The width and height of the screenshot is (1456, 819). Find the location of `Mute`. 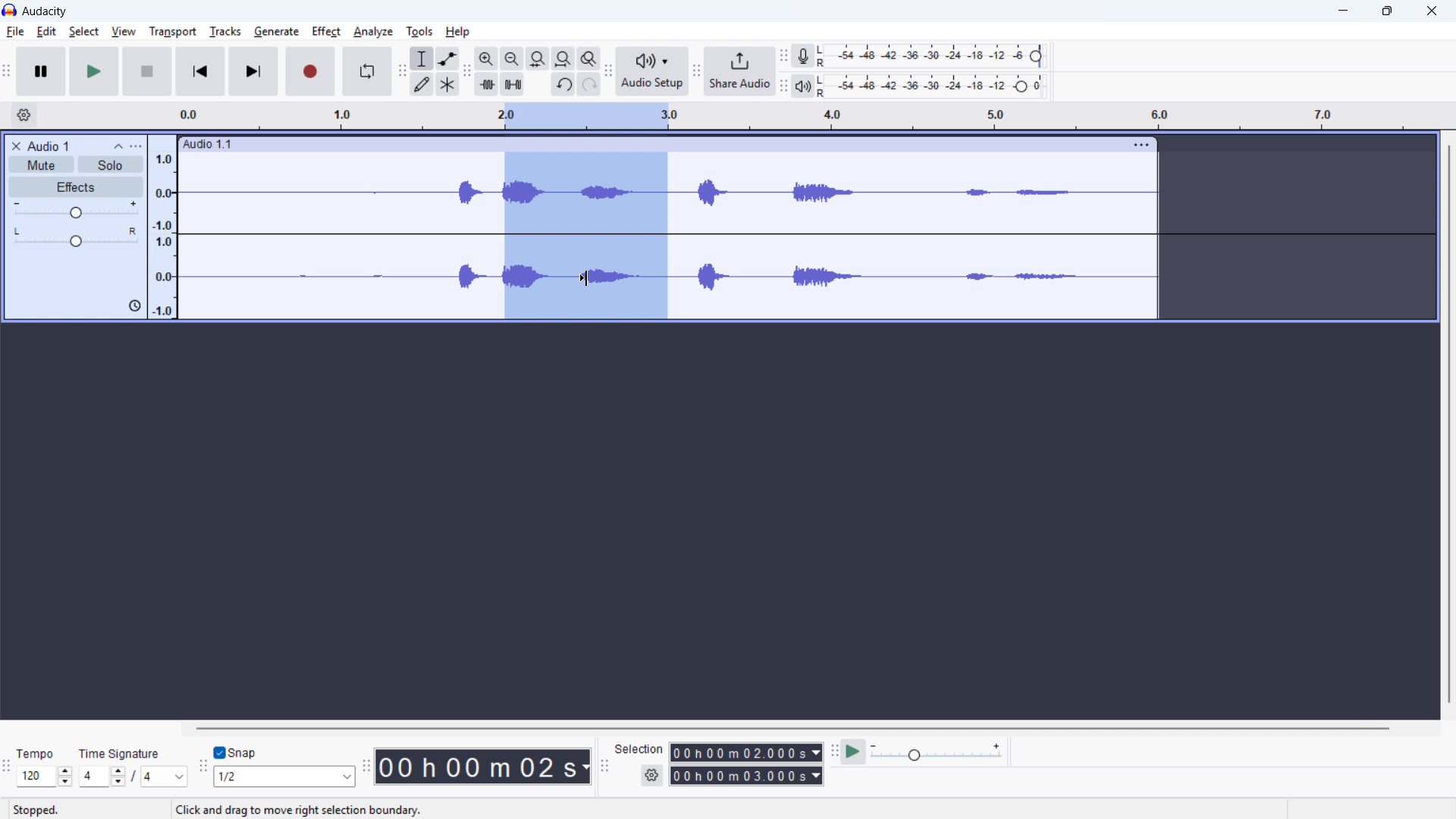

Mute is located at coordinates (40, 164).